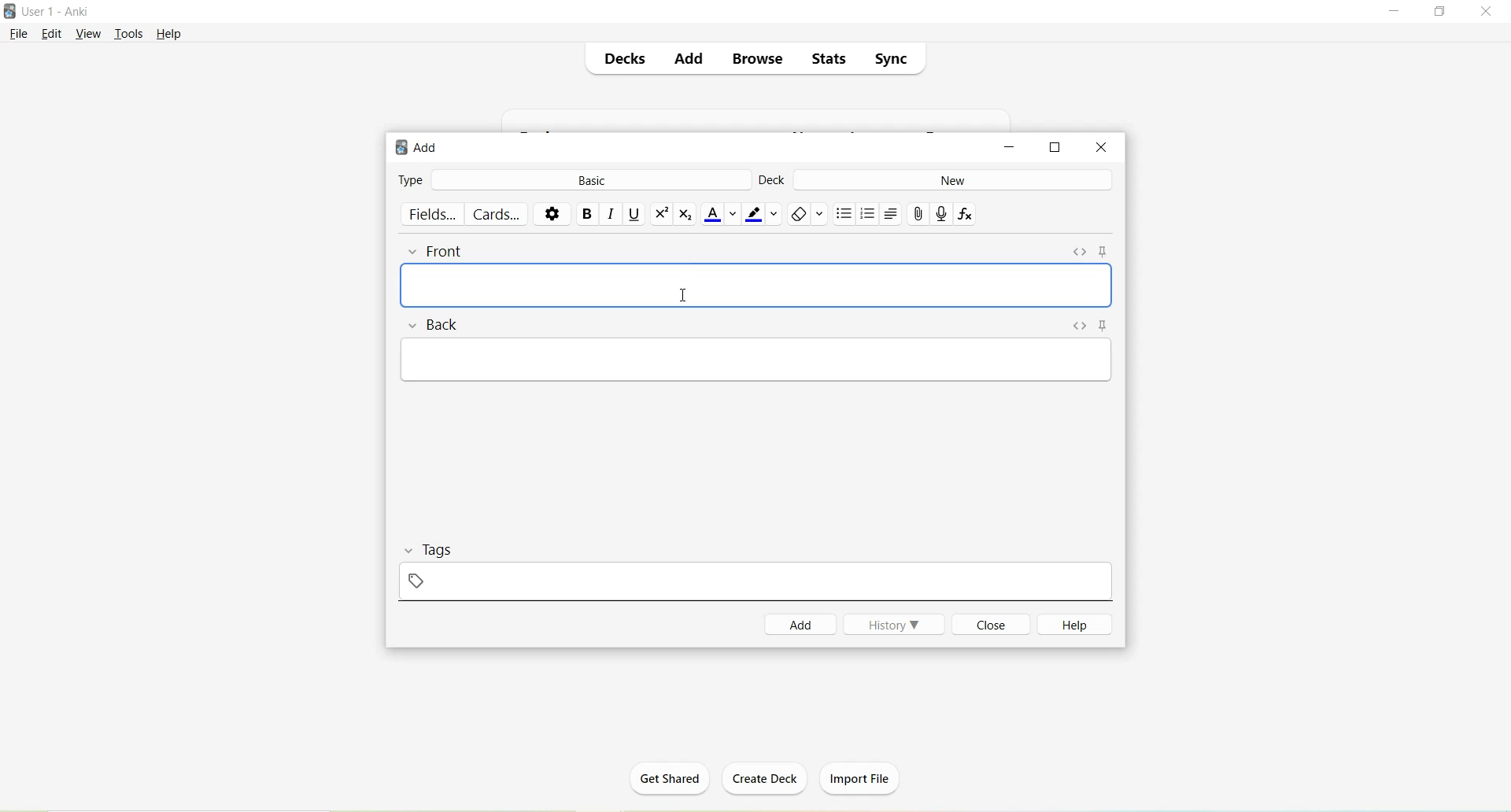  Describe the element at coordinates (953, 180) in the screenshot. I see `New` at that location.